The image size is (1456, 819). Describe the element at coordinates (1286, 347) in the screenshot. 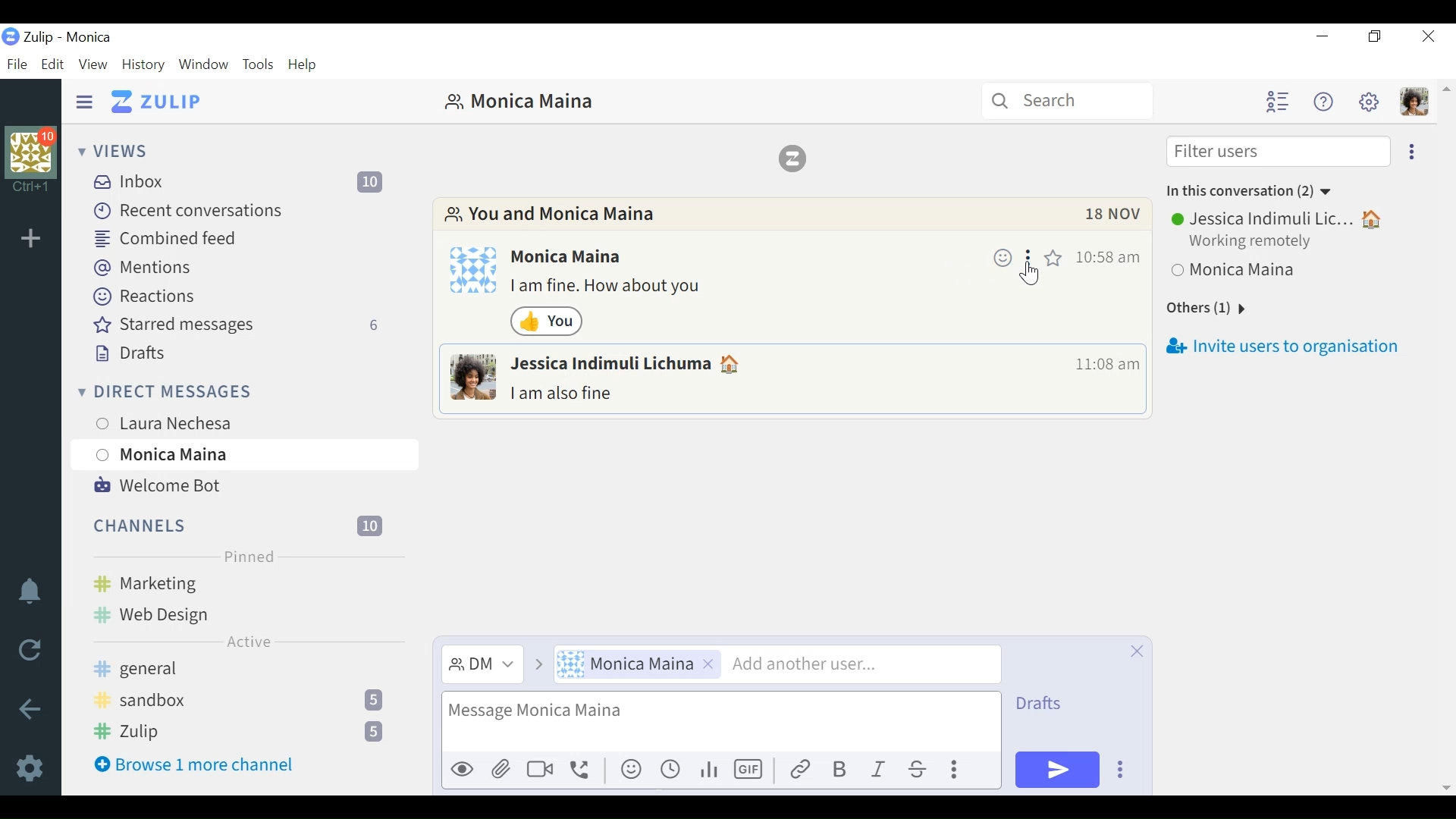

I see `Invite users to organisation` at that location.